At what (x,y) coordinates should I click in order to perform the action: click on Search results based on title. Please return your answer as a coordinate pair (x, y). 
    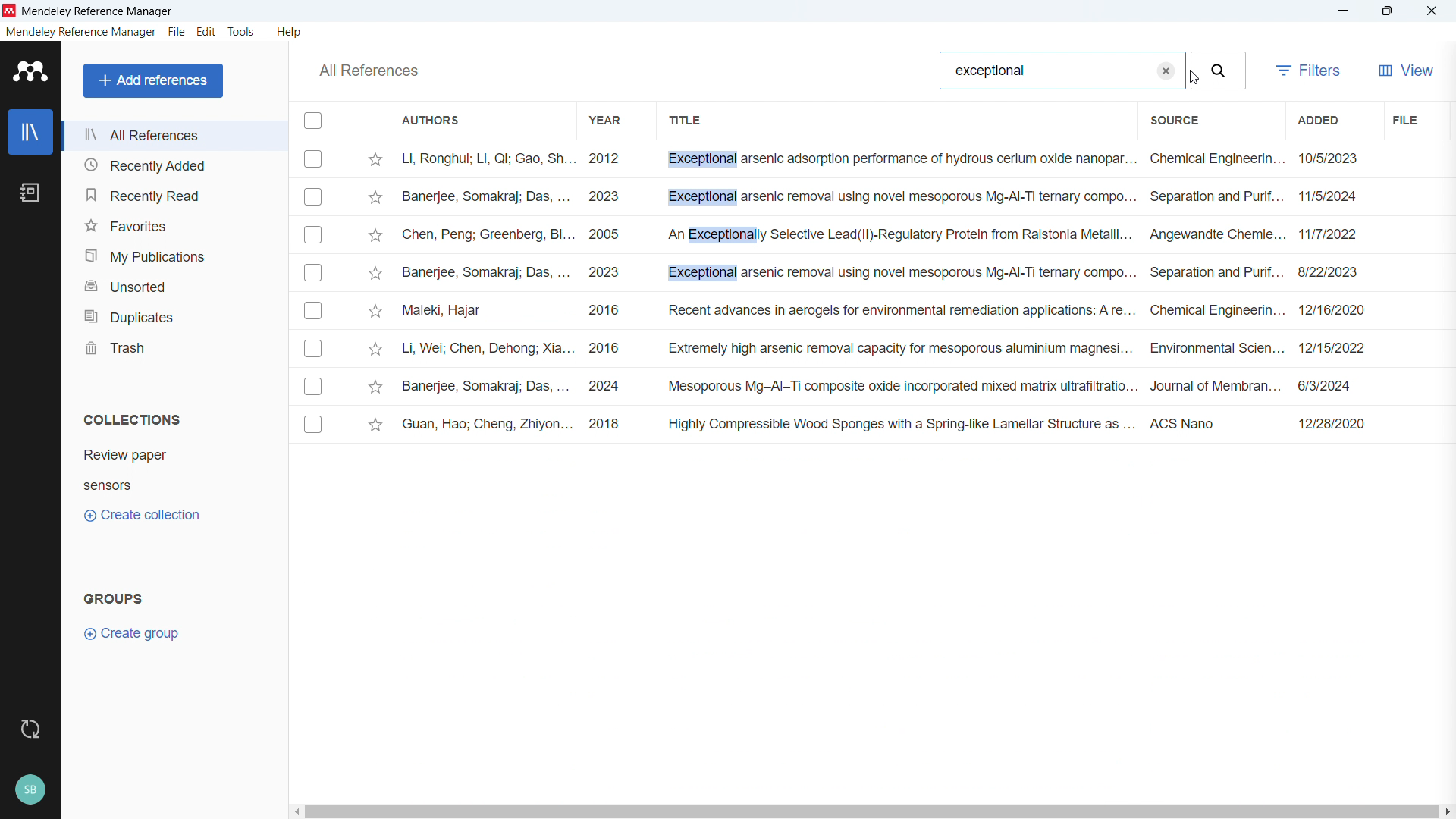
    Looking at the image, I should click on (899, 291).